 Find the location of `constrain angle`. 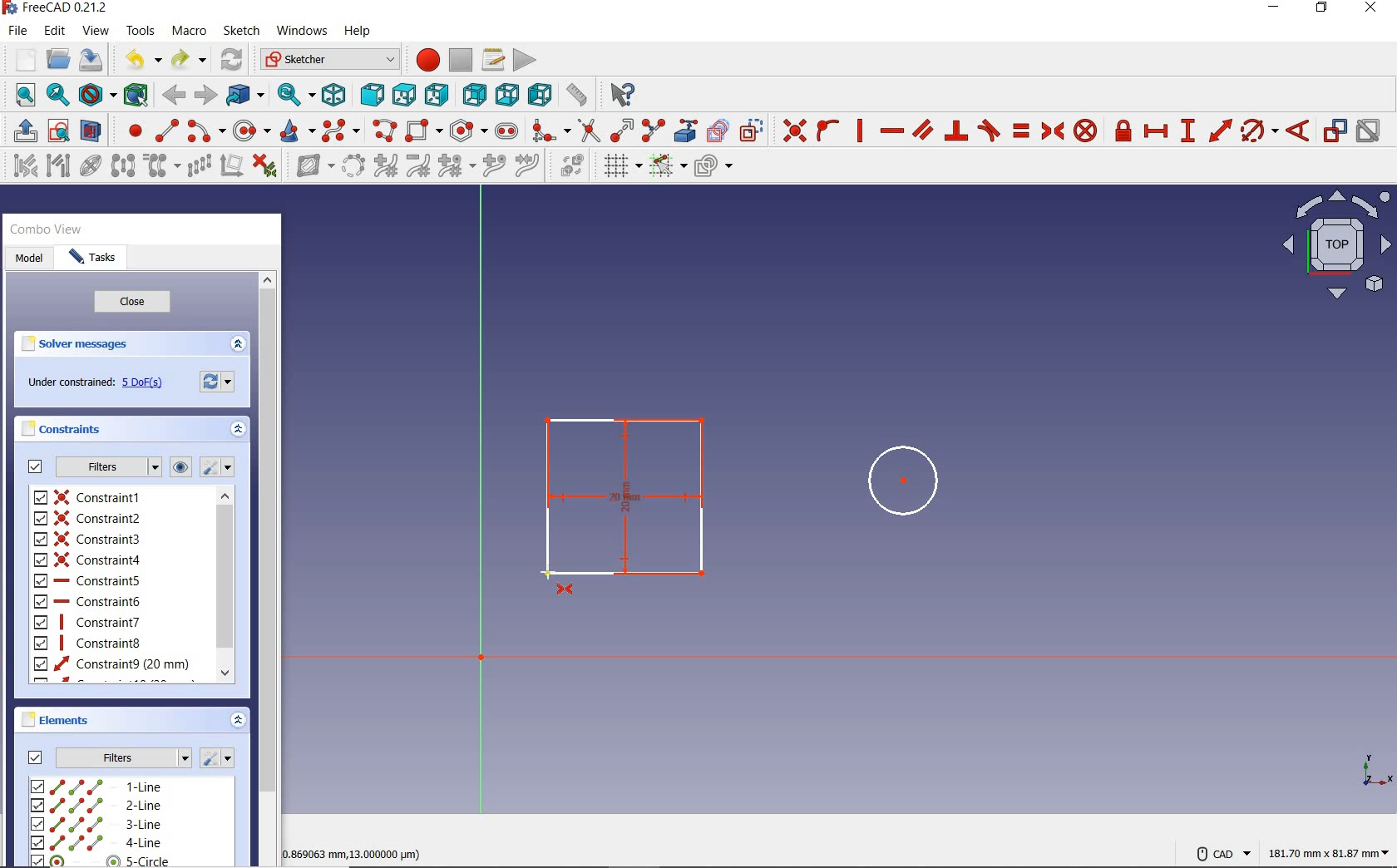

constrain angle is located at coordinates (1300, 131).